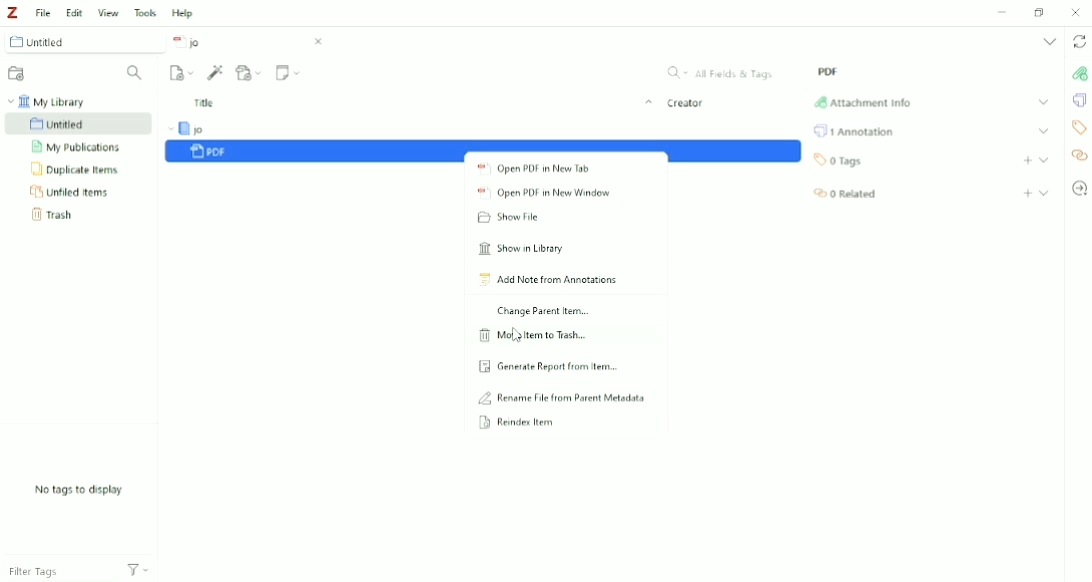 This screenshot has width=1092, height=582. I want to click on Expand section, so click(1044, 130).